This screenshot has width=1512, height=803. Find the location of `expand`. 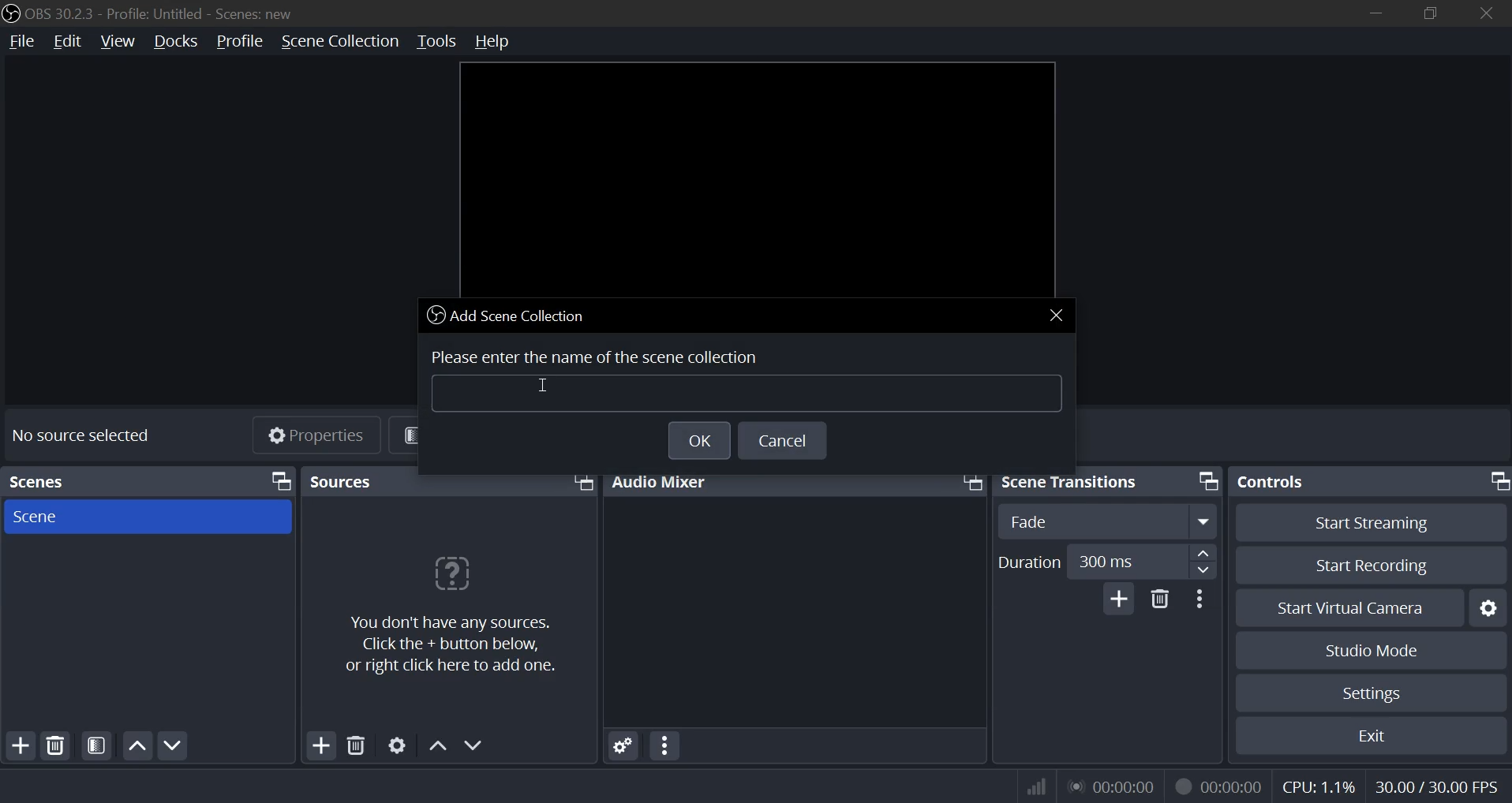

expand is located at coordinates (1204, 521).